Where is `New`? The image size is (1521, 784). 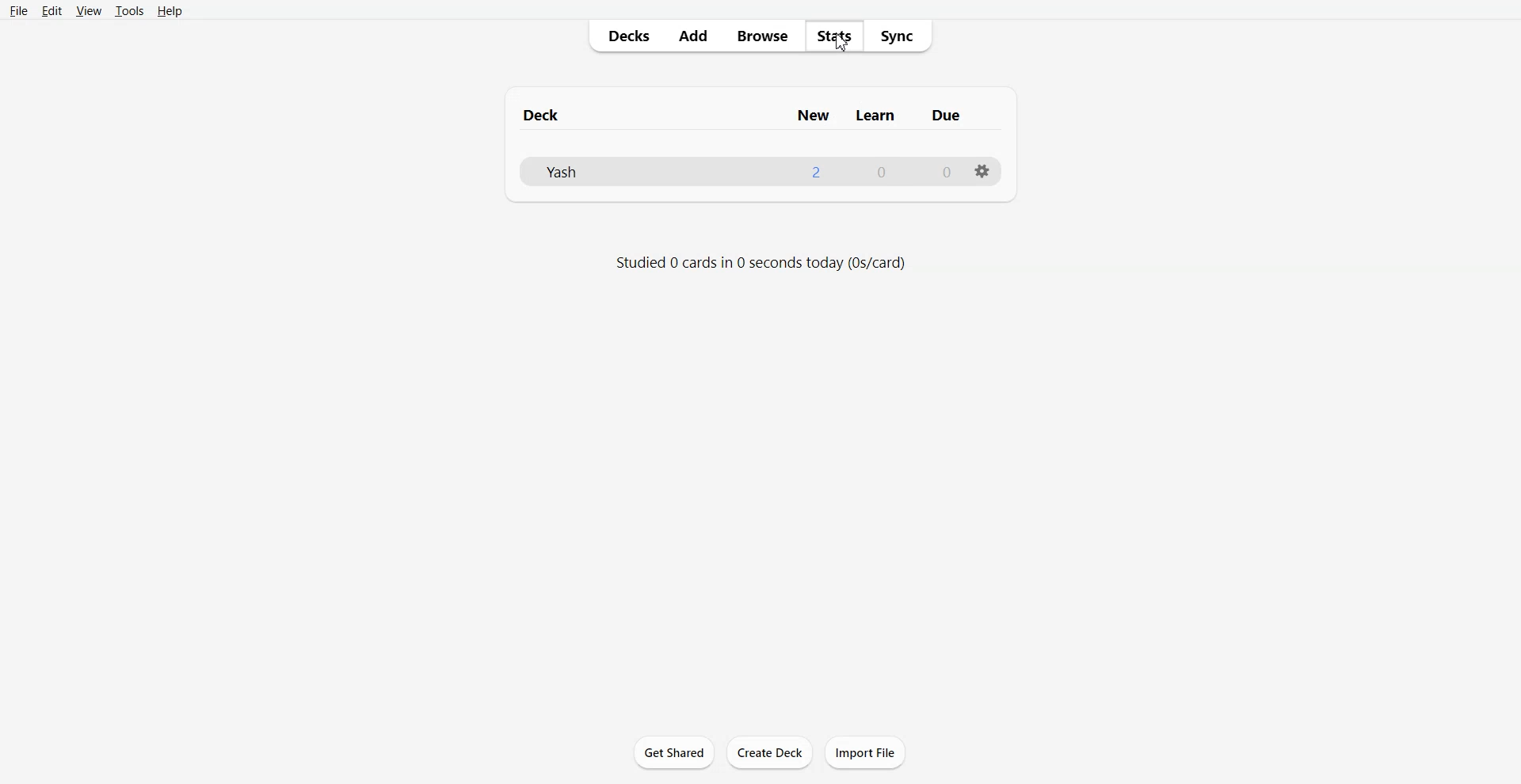
New is located at coordinates (813, 114).